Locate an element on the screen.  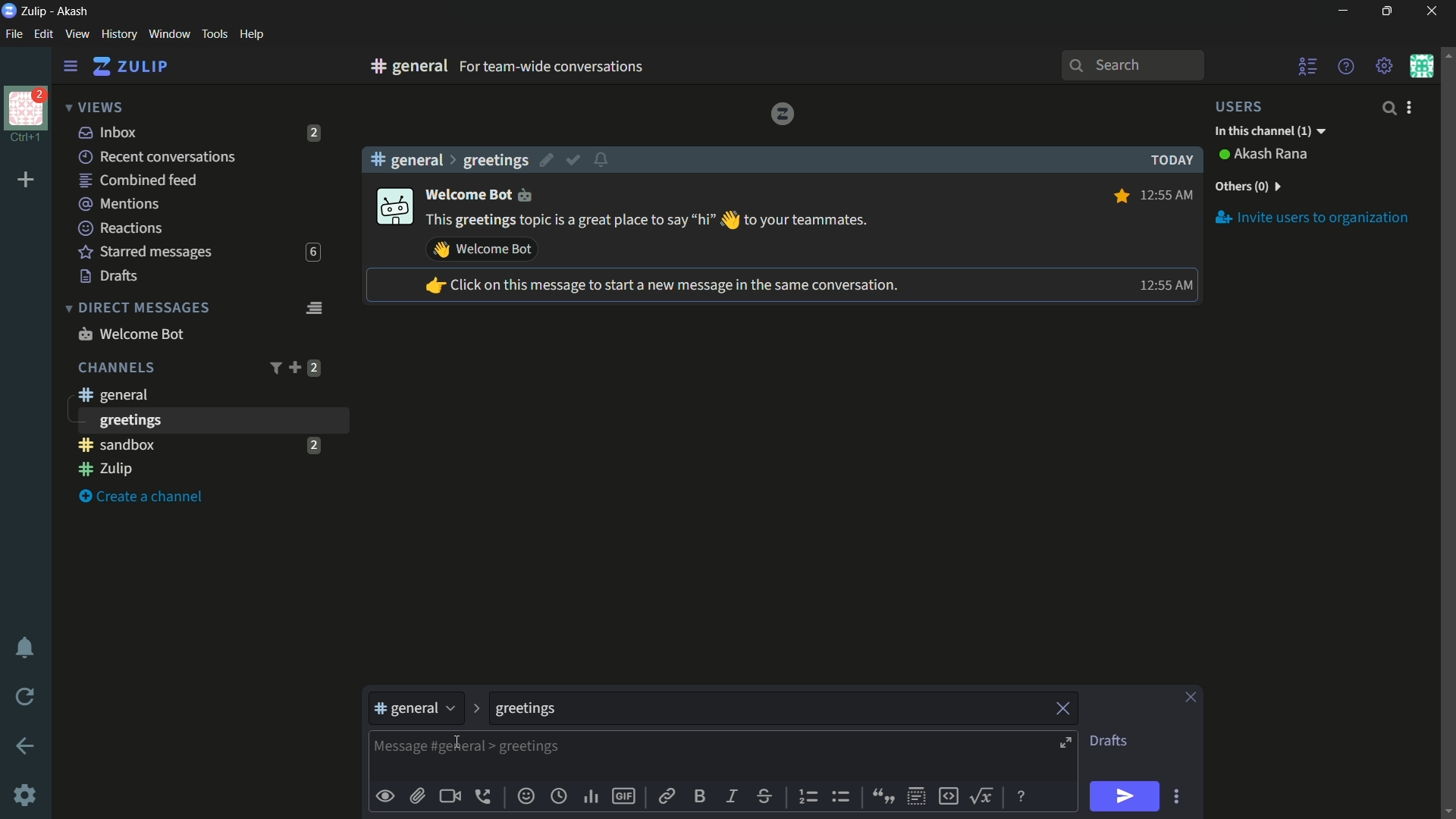
add gif is located at coordinates (623, 796).